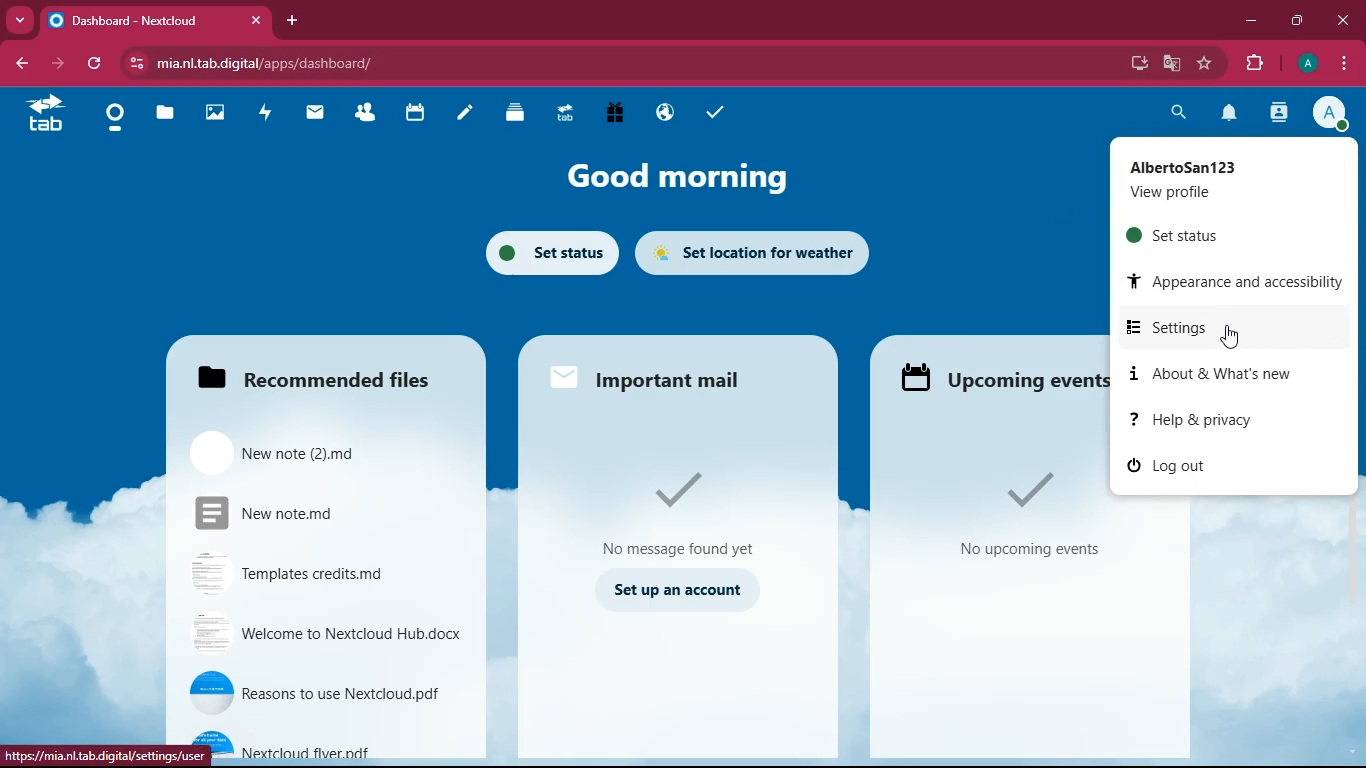 This screenshot has height=768, width=1366. I want to click on Drop down, so click(21, 21).